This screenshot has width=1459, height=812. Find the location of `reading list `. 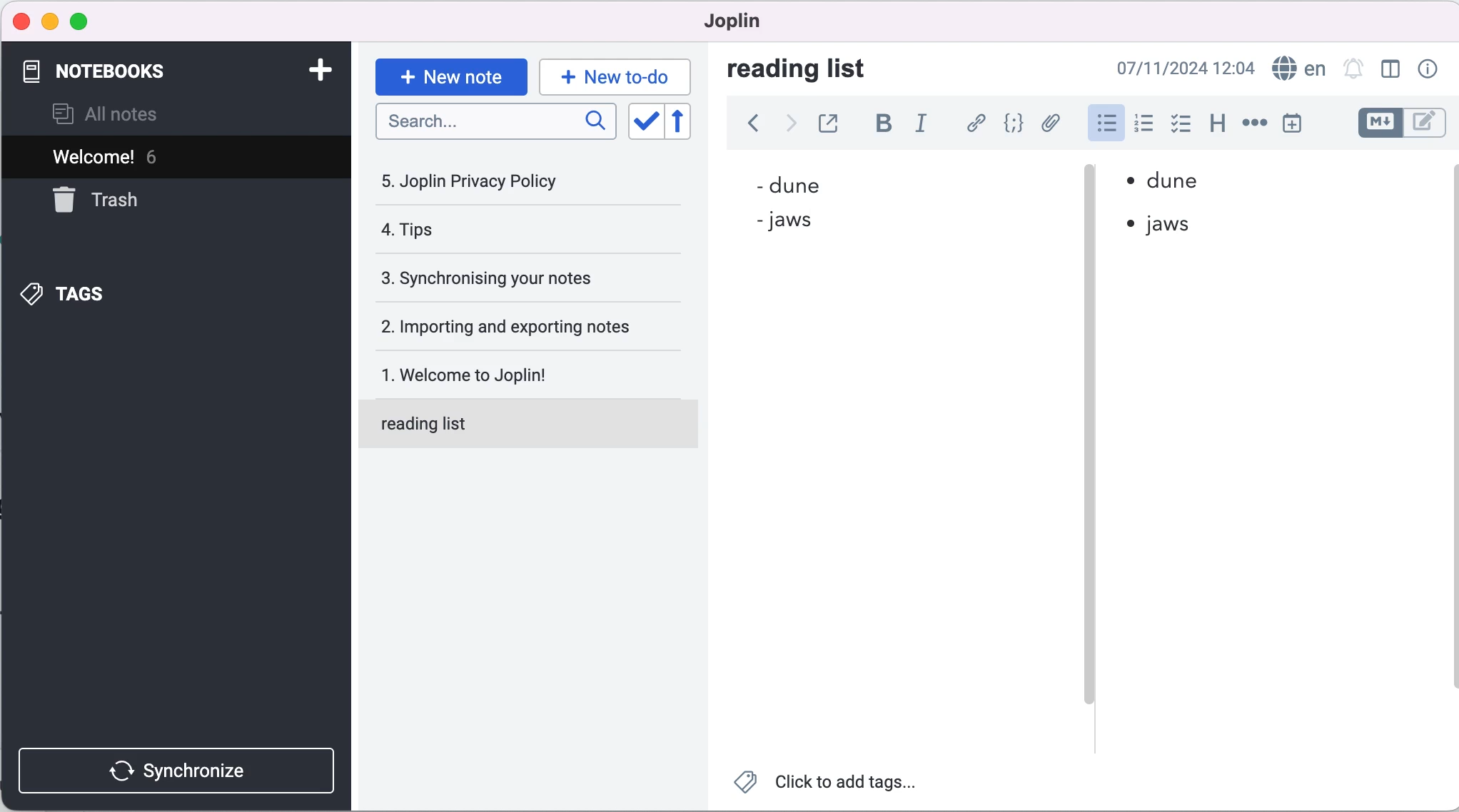

reading list  is located at coordinates (532, 422).